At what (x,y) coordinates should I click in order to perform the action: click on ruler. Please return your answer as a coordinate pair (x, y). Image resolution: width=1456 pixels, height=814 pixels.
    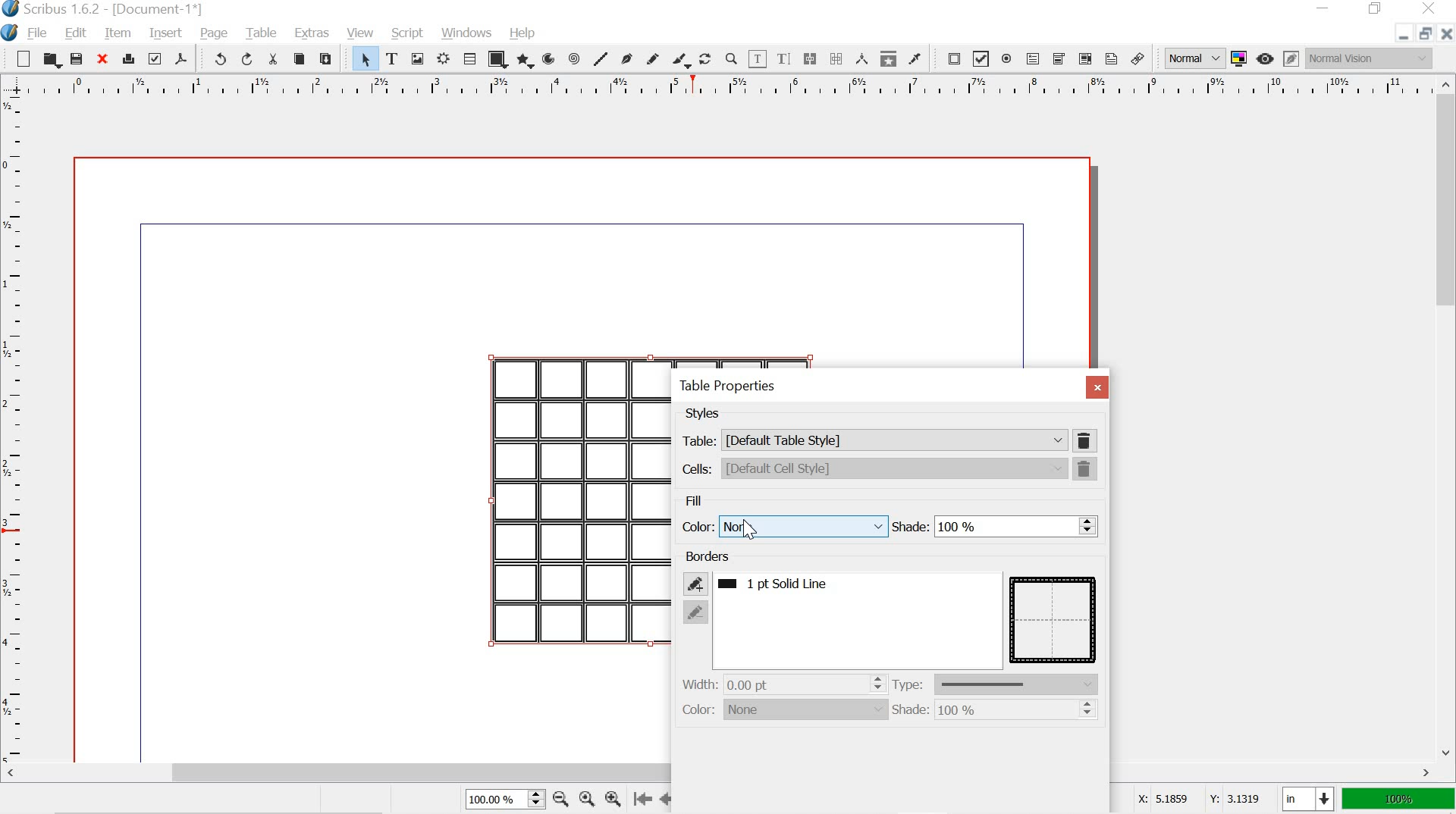
    Looking at the image, I should click on (14, 426).